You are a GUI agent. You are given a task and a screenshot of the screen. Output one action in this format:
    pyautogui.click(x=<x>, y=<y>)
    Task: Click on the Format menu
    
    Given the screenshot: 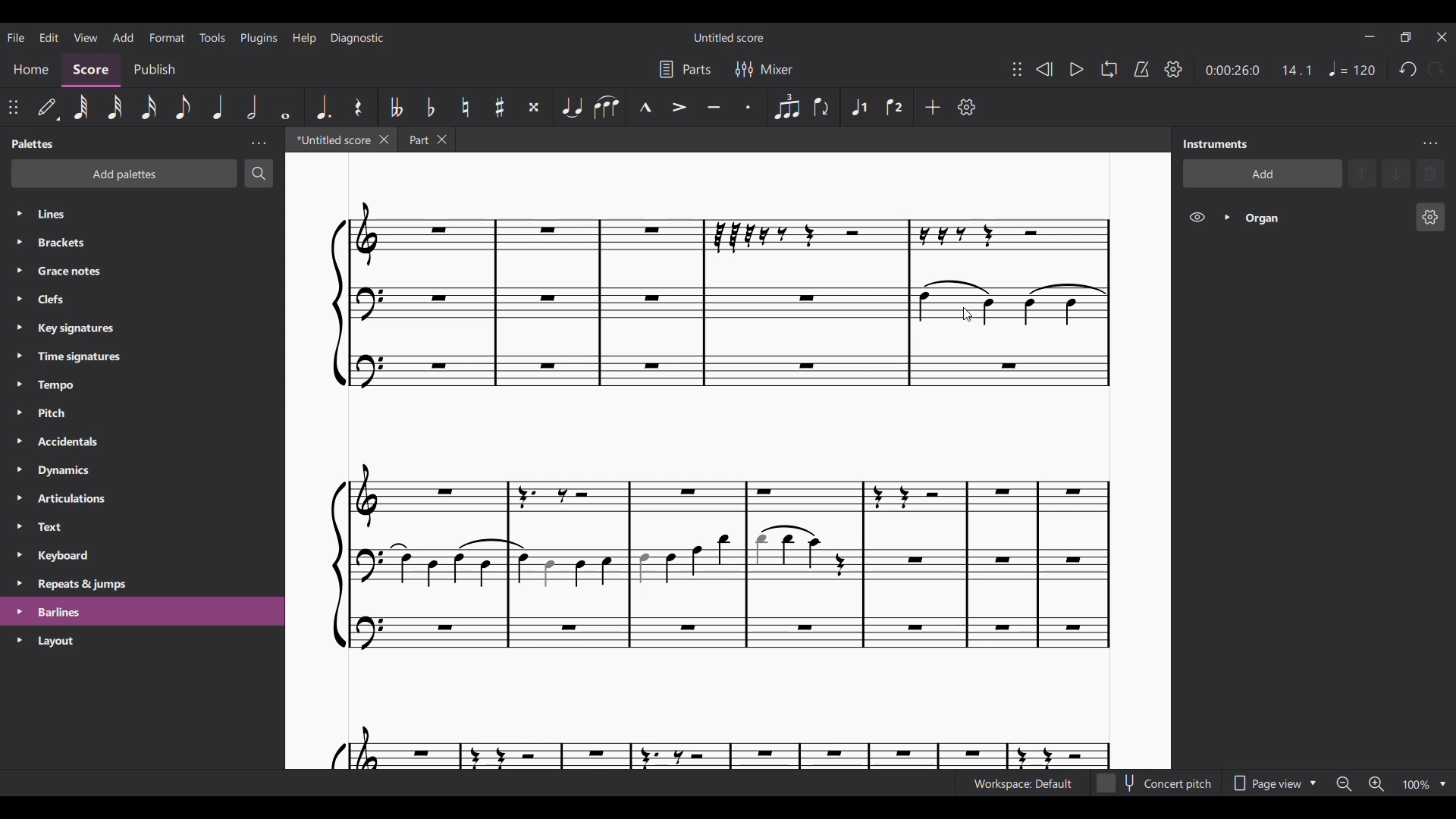 What is the action you would take?
    pyautogui.click(x=168, y=36)
    